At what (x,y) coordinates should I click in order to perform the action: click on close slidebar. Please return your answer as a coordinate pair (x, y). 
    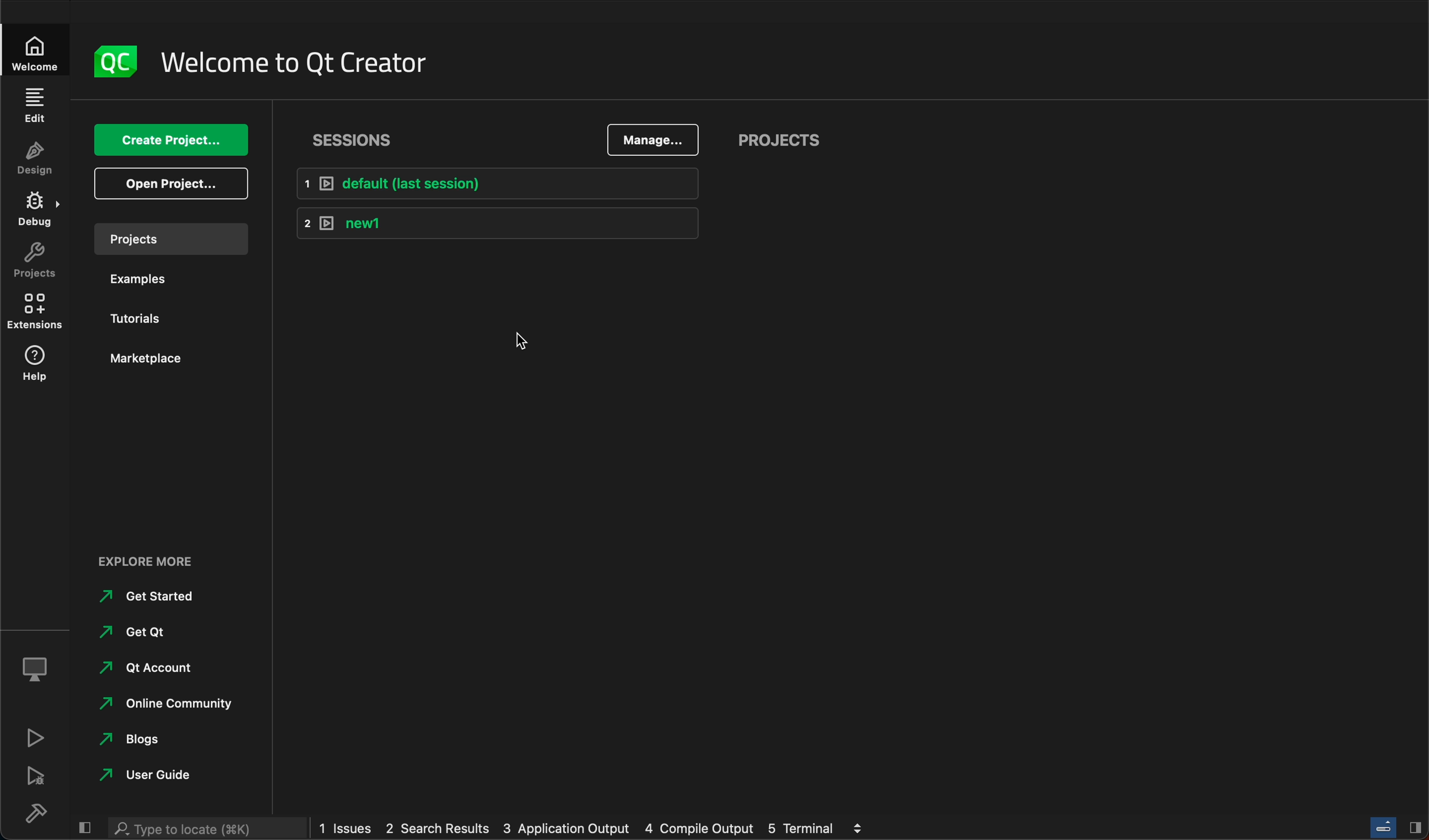
    Looking at the image, I should click on (86, 826).